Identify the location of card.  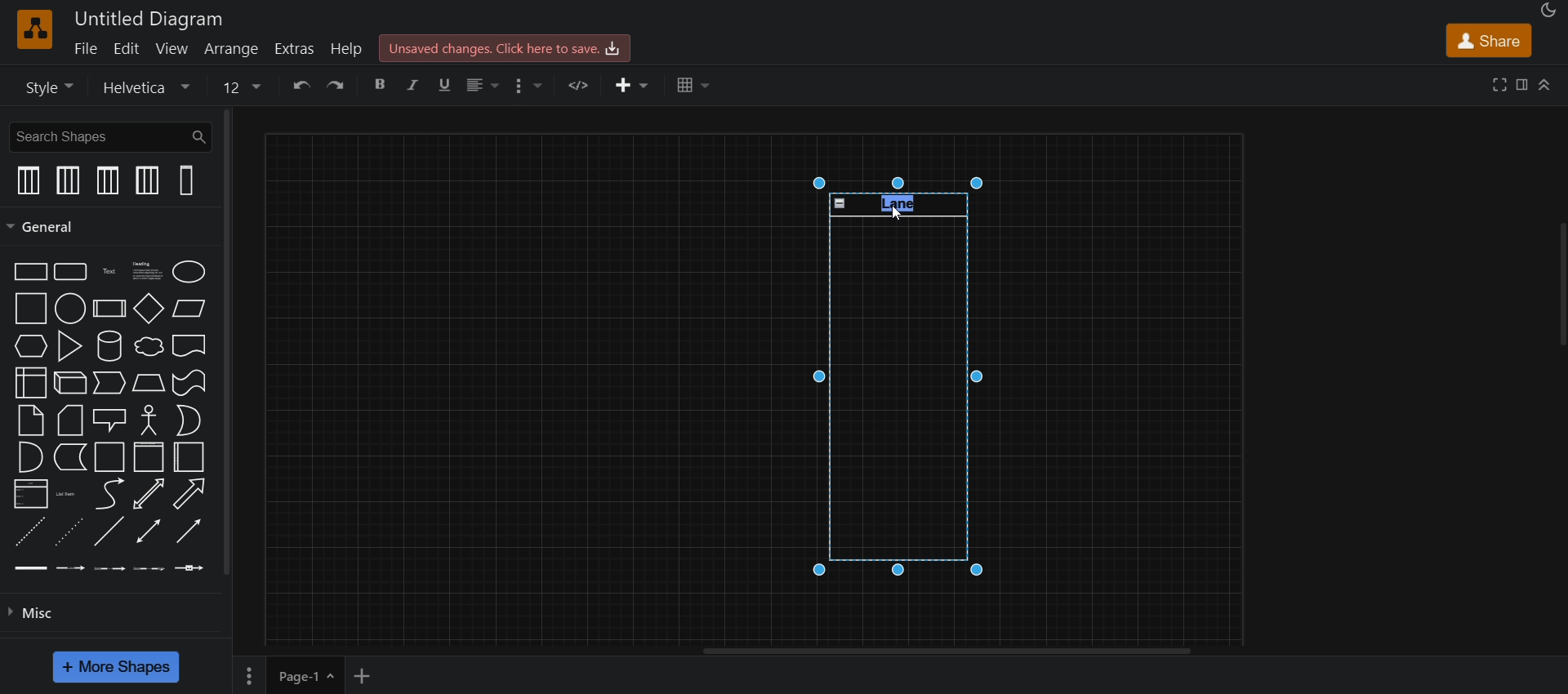
(69, 421).